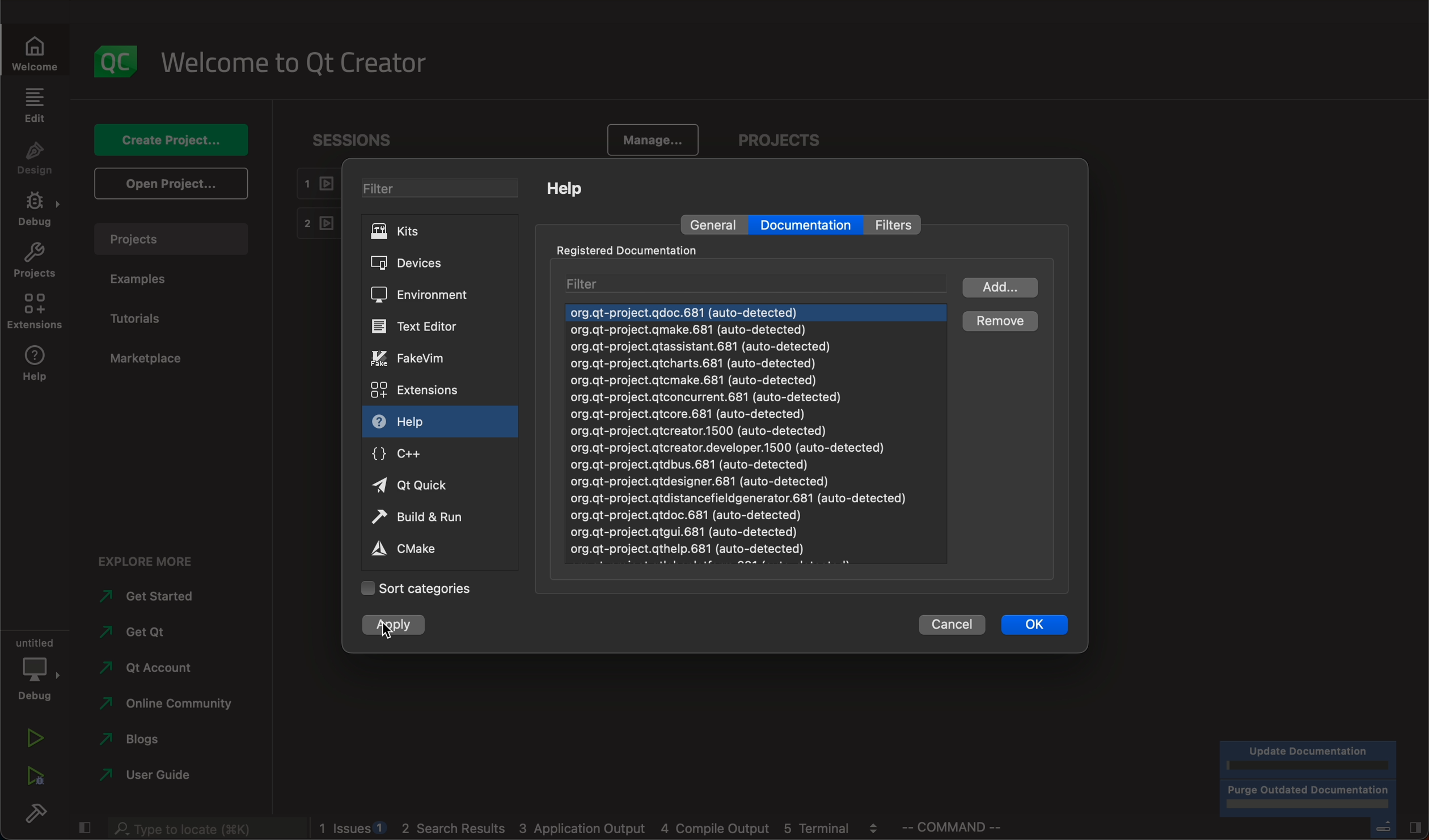 This screenshot has height=840, width=1429. Describe the element at coordinates (36, 164) in the screenshot. I see `design` at that location.